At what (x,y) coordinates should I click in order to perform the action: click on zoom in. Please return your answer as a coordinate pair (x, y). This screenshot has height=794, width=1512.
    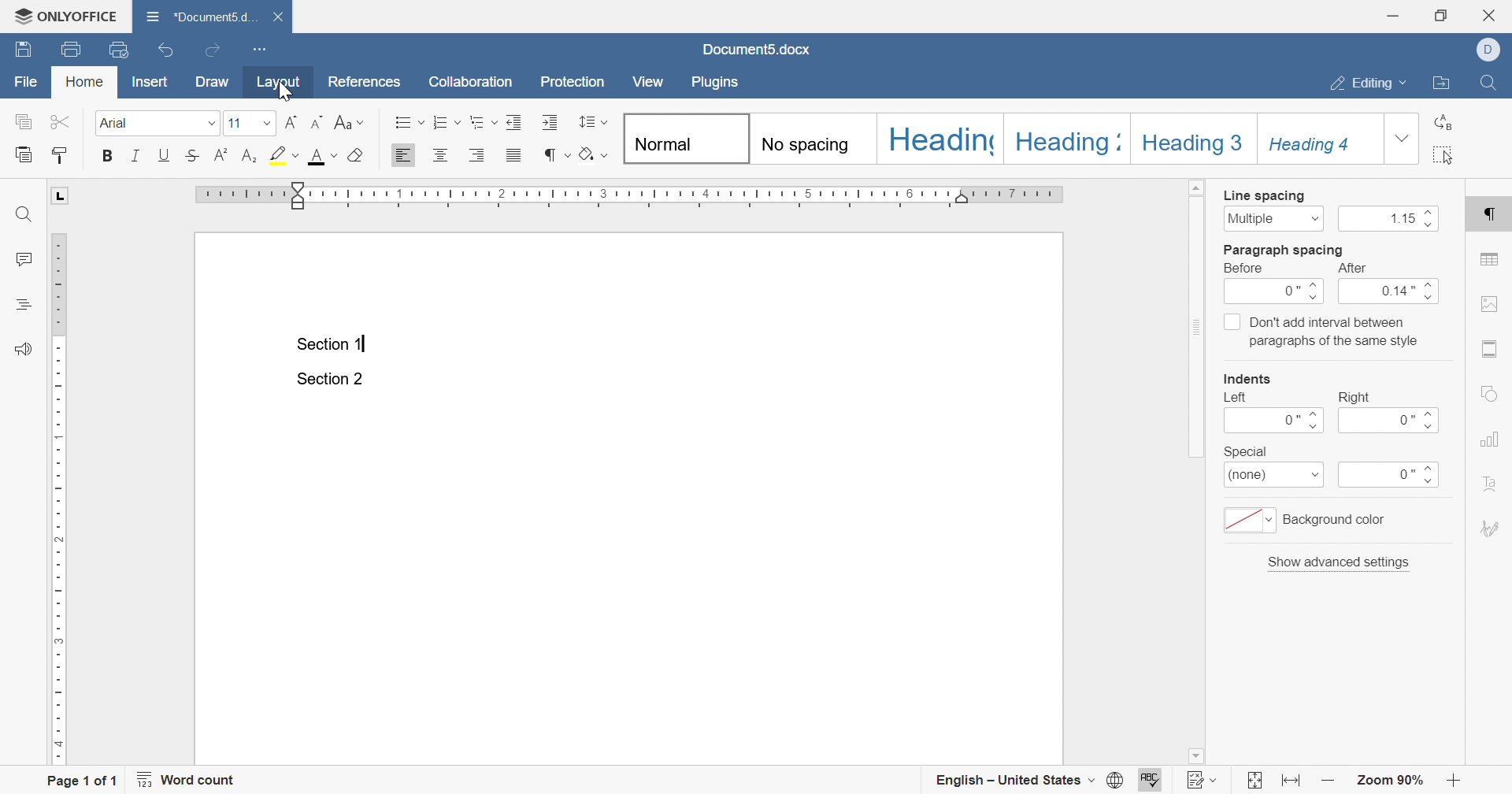
    Looking at the image, I should click on (1329, 781).